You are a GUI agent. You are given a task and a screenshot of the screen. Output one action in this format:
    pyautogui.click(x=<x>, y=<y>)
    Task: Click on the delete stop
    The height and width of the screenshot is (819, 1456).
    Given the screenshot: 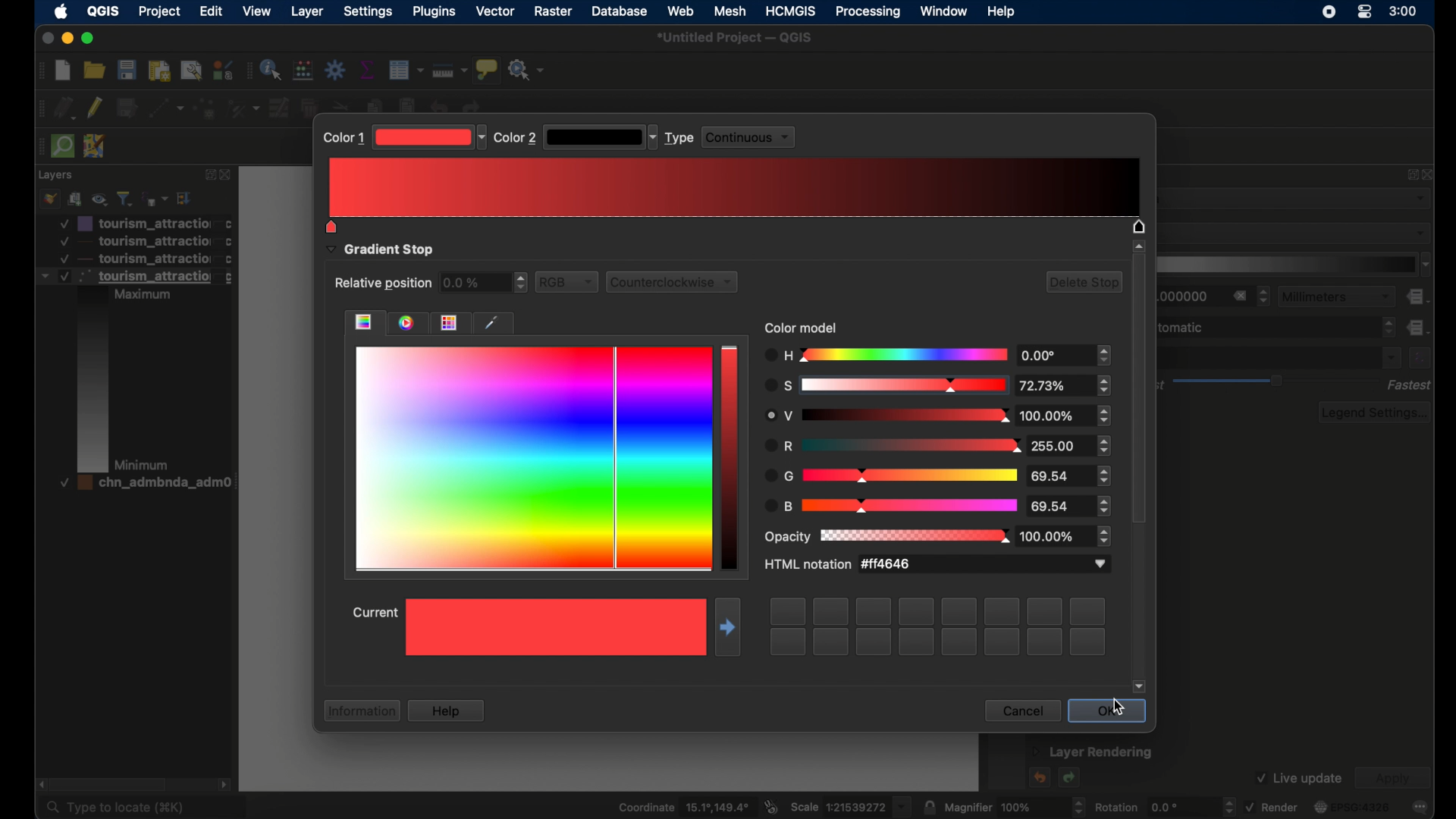 What is the action you would take?
    pyautogui.click(x=1084, y=284)
    